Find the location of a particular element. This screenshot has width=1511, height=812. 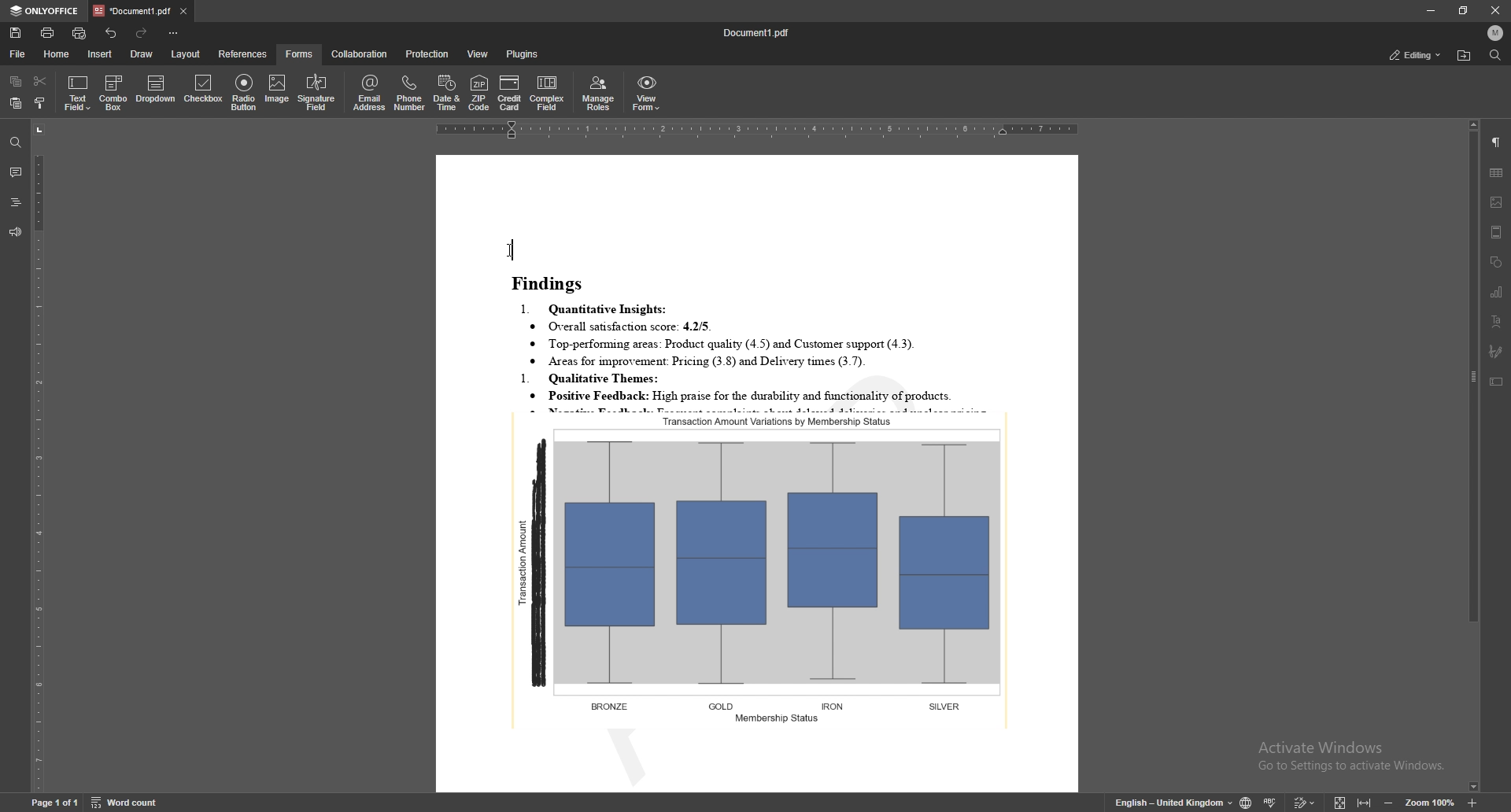

customize toolbar is located at coordinates (175, 34).